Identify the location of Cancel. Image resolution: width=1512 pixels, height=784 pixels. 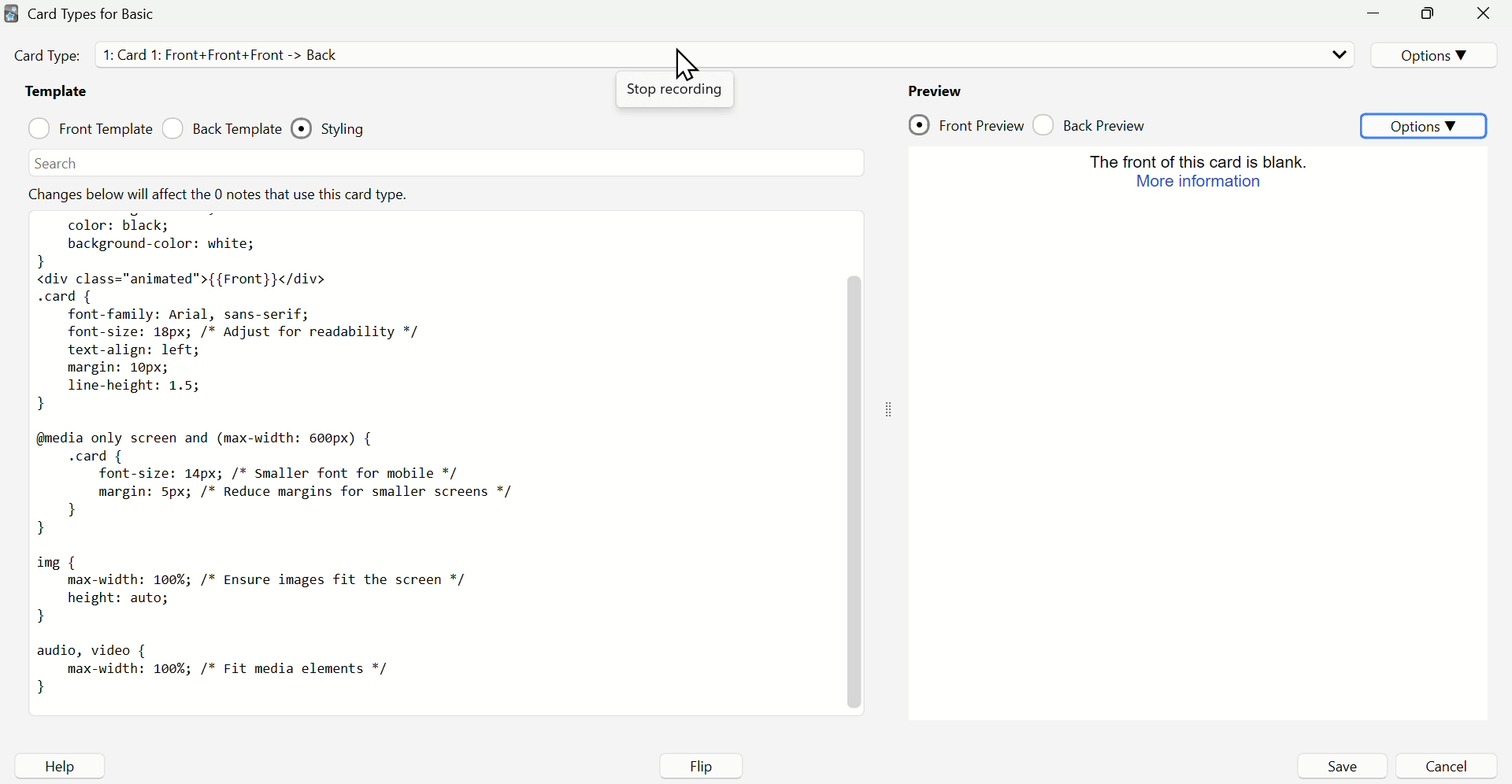
(1447, 766).